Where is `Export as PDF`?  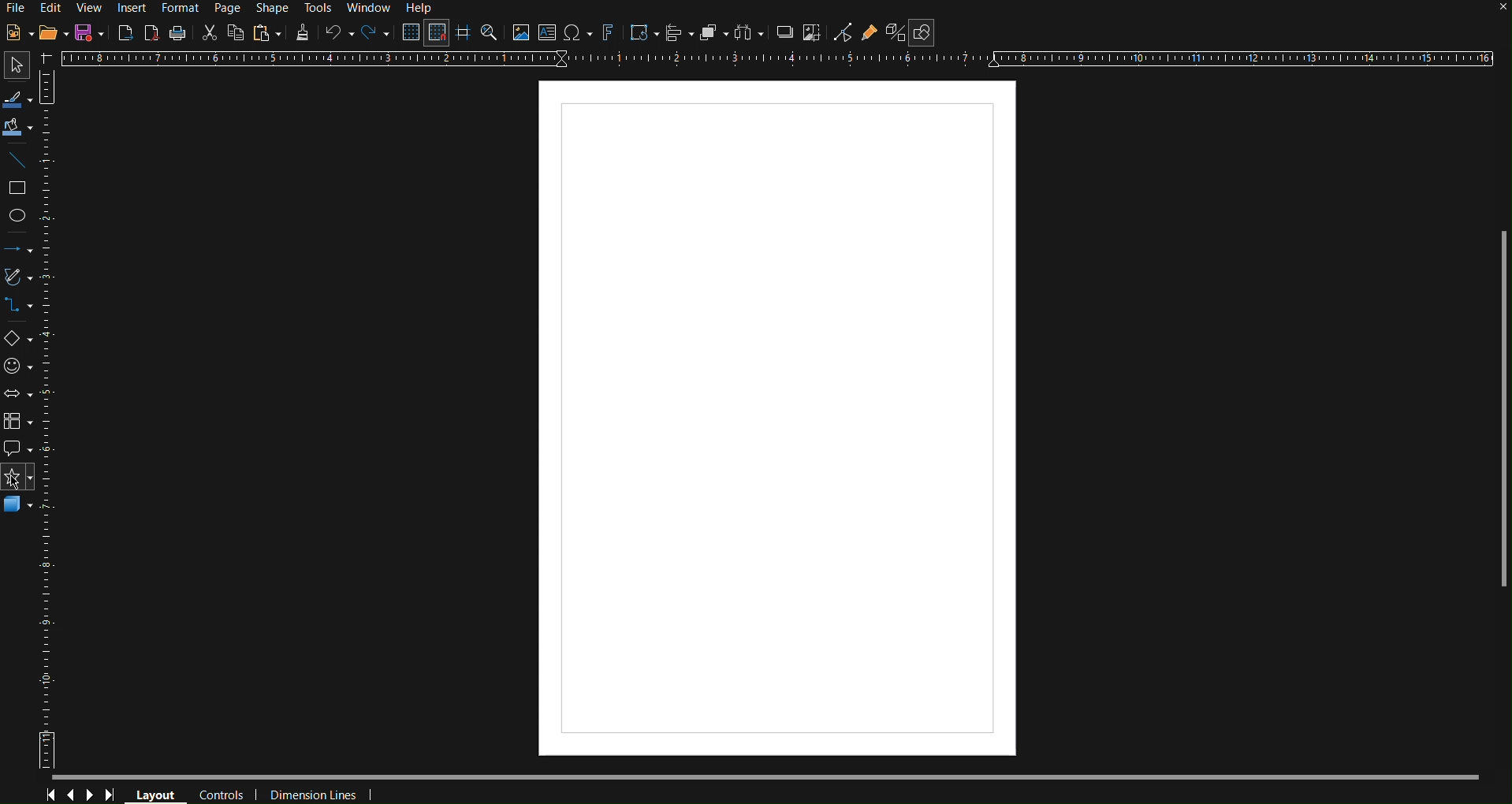 Export as PDF is located at coordinates (152, 32).